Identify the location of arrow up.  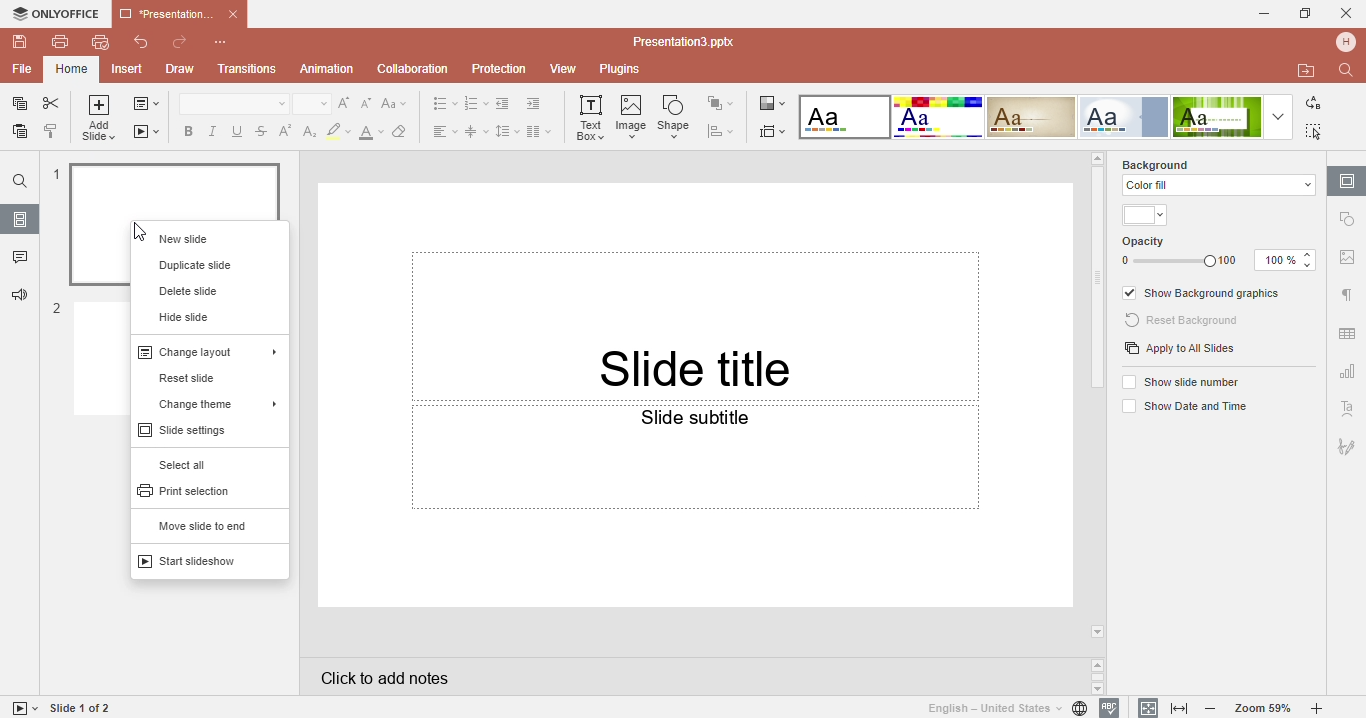
(1097, 157).